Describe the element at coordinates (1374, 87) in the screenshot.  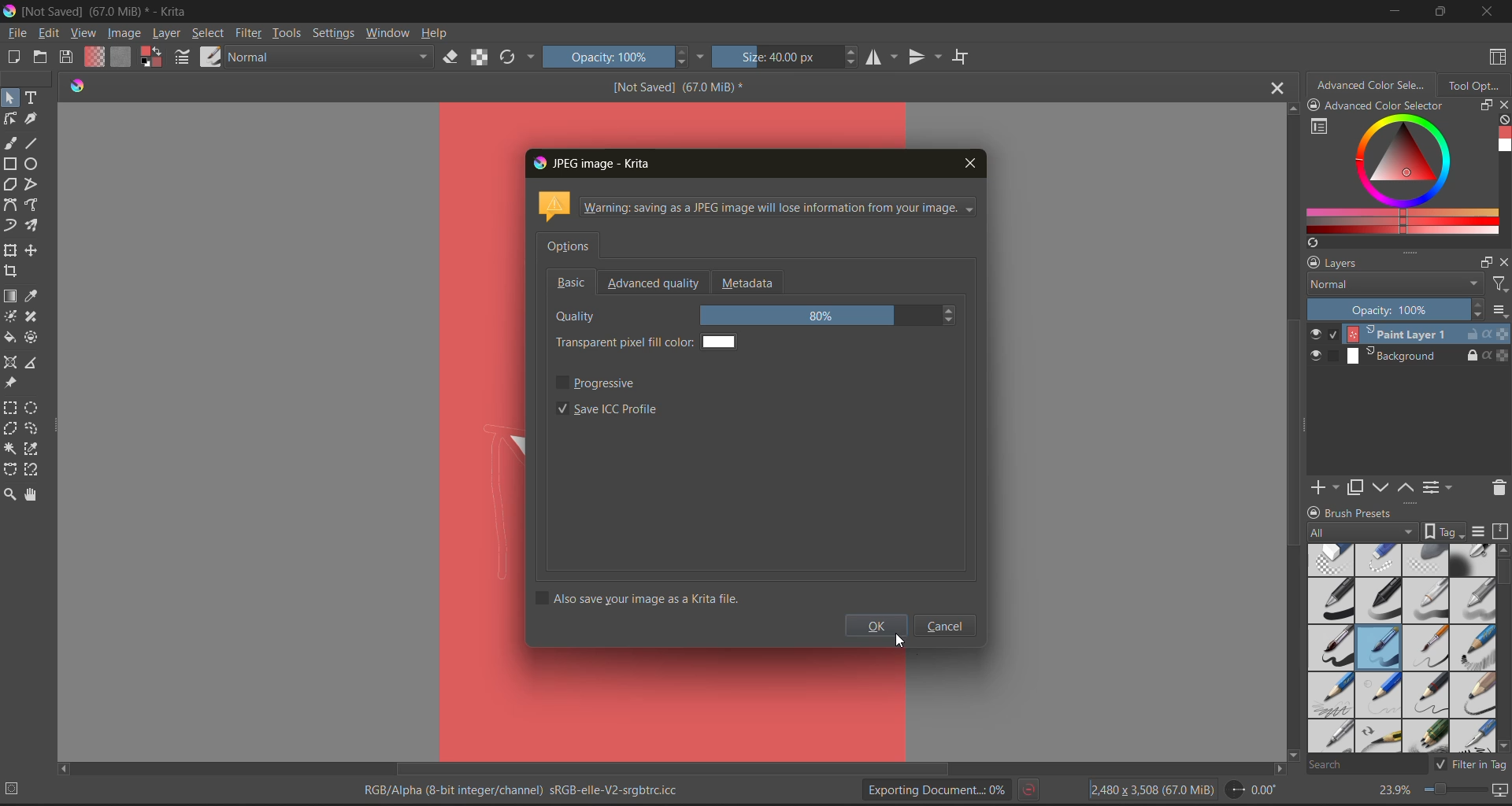
I see `advanced color selector` at that location.